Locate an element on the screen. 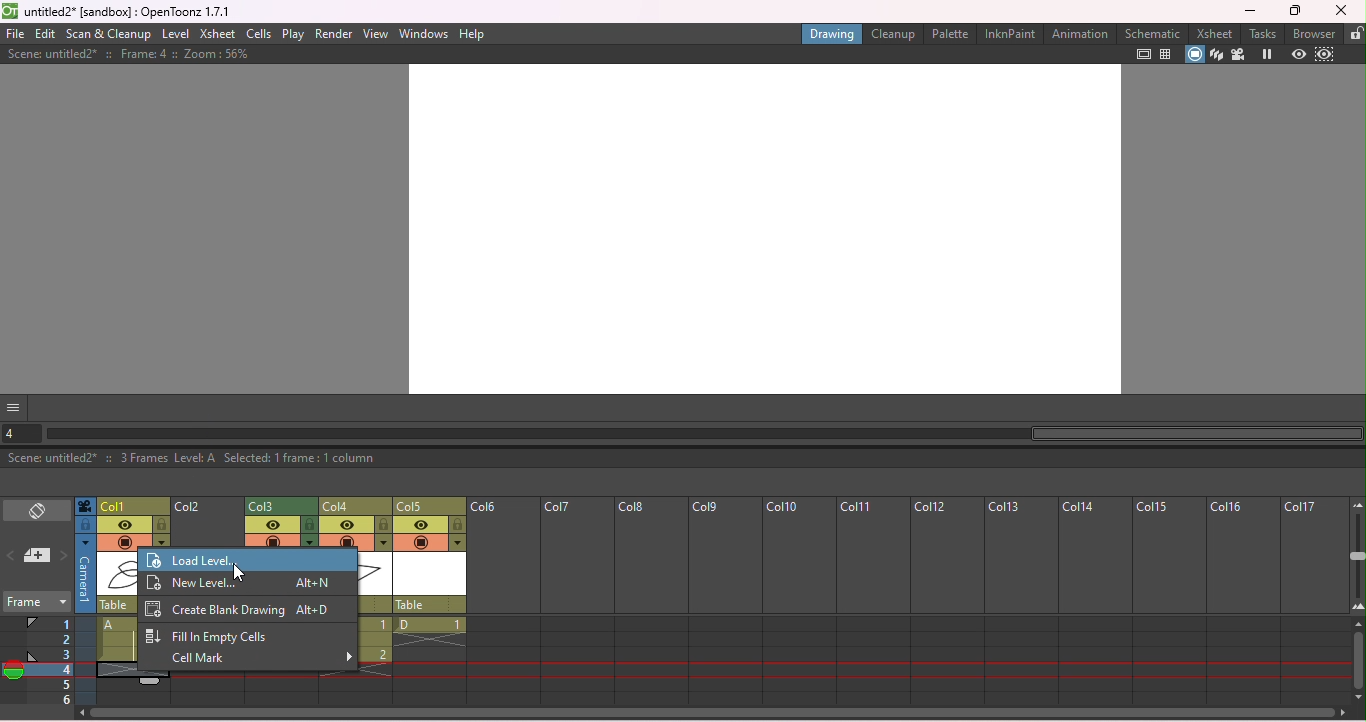 Image resolution: width=1366 pixels, height=722 pixels. Load level is located at coordinates (226, 562).